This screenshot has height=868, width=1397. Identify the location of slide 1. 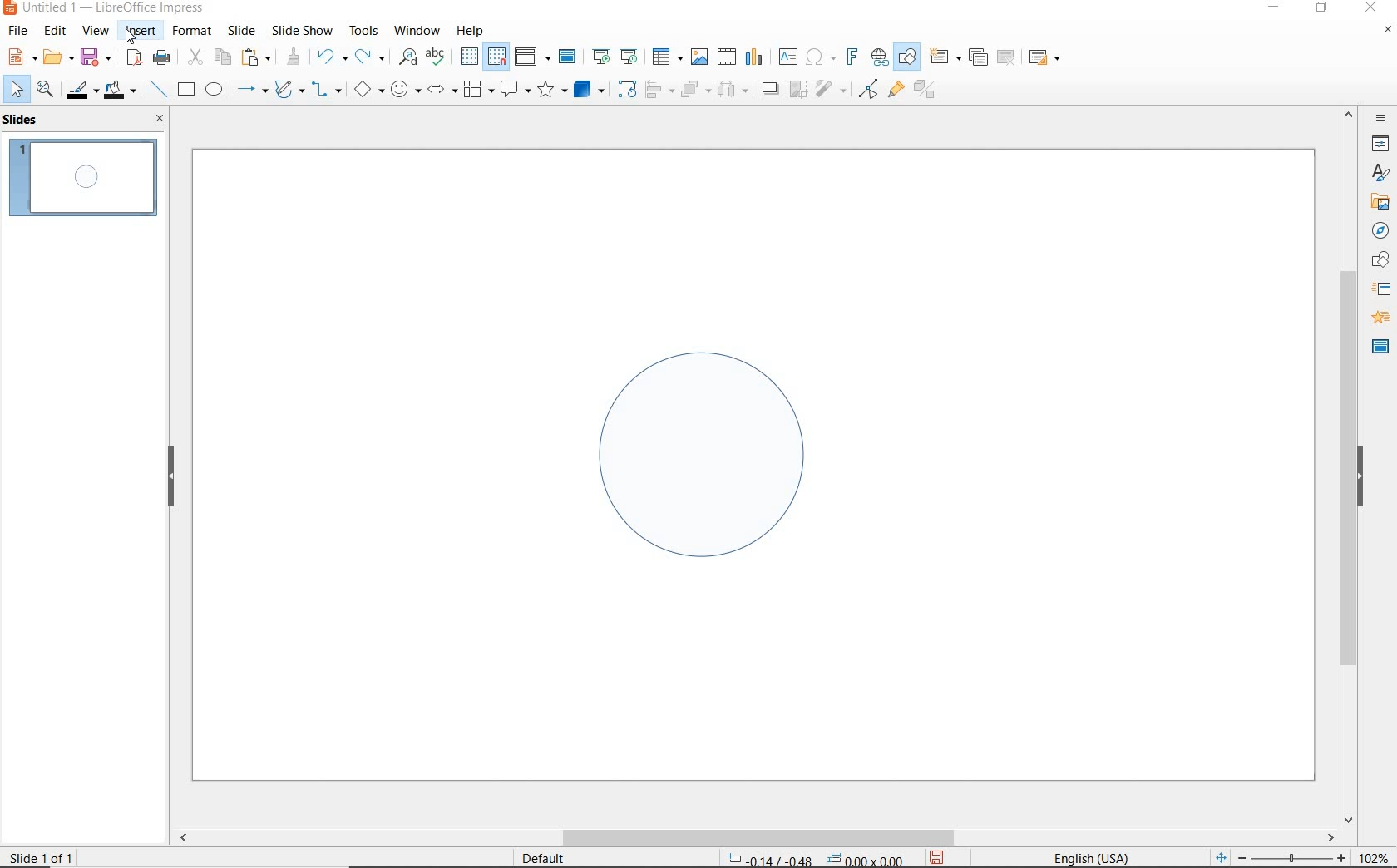
(86, 180).